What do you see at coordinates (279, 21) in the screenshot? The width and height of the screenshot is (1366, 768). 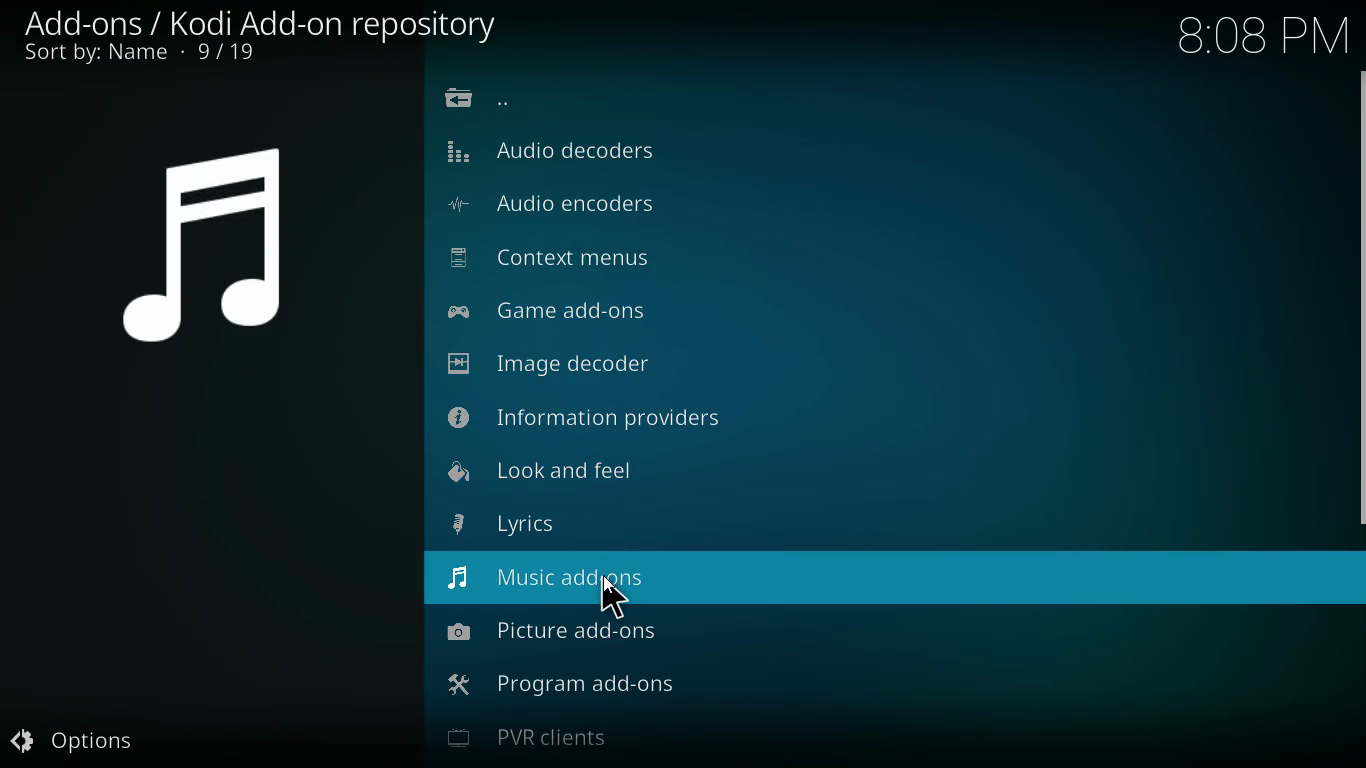 I see `add-ons / add-on browser` at bounding box center [279, 21].